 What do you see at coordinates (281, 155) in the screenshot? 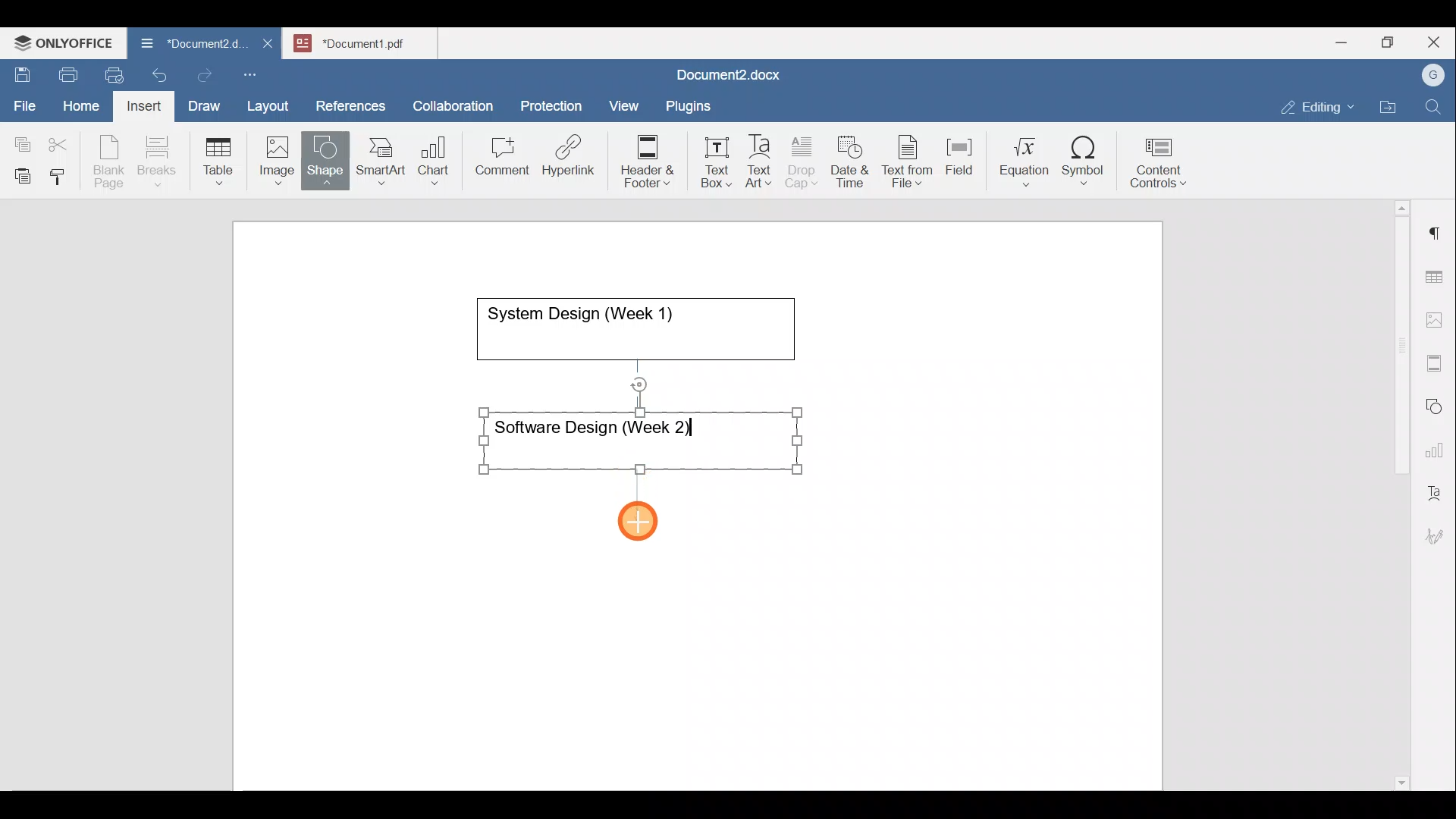
I see `Image` at bounding box center [281, 155].